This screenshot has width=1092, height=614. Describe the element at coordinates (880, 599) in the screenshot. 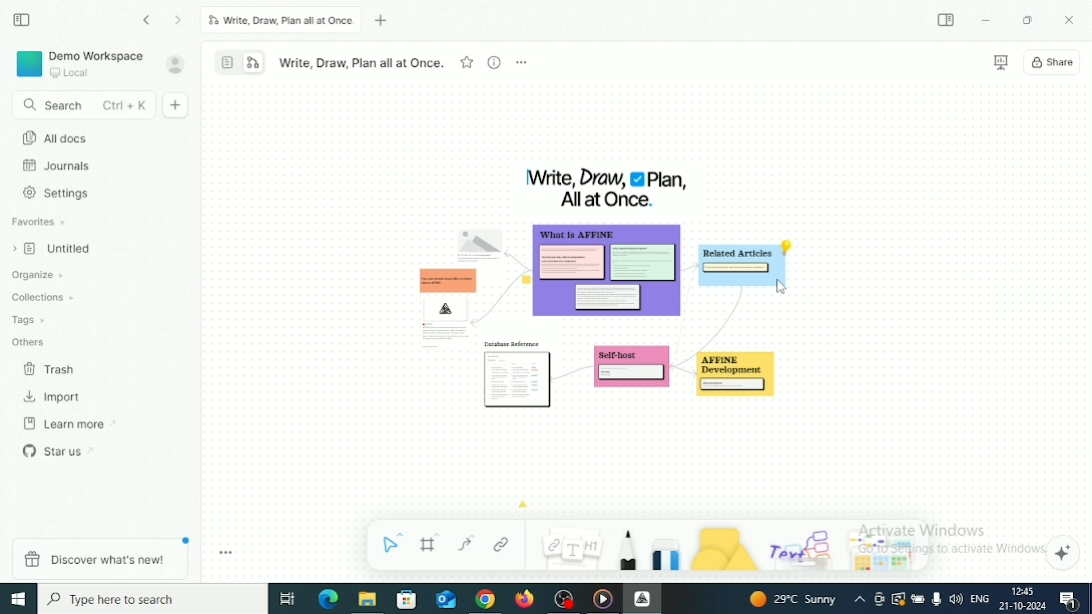

I see `Meet Now` at that location.